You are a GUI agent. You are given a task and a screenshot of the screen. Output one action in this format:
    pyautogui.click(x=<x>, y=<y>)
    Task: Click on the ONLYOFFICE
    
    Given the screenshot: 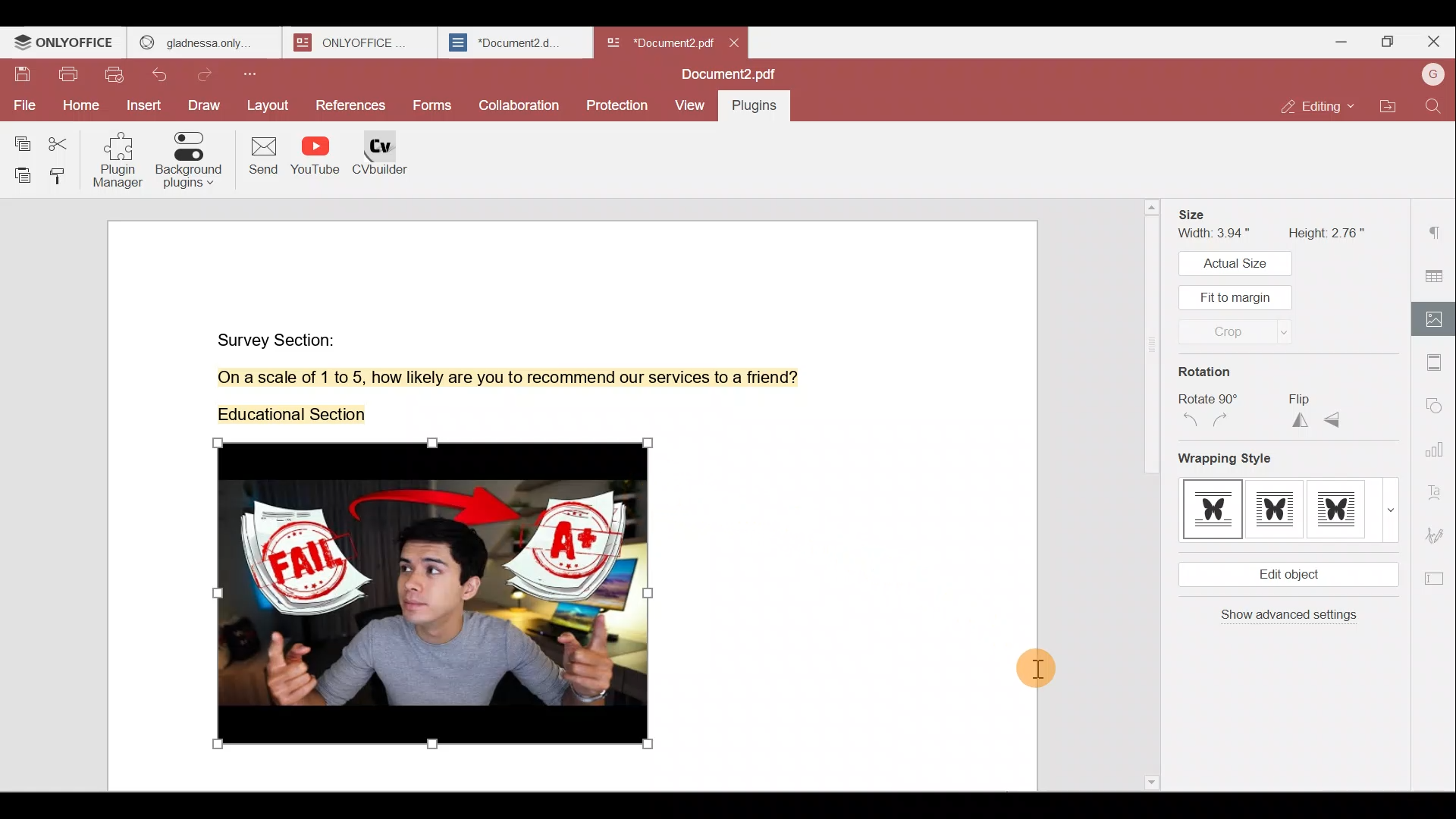 What is the action you would take?
    pyautogui.click(x=65, y=42)
    